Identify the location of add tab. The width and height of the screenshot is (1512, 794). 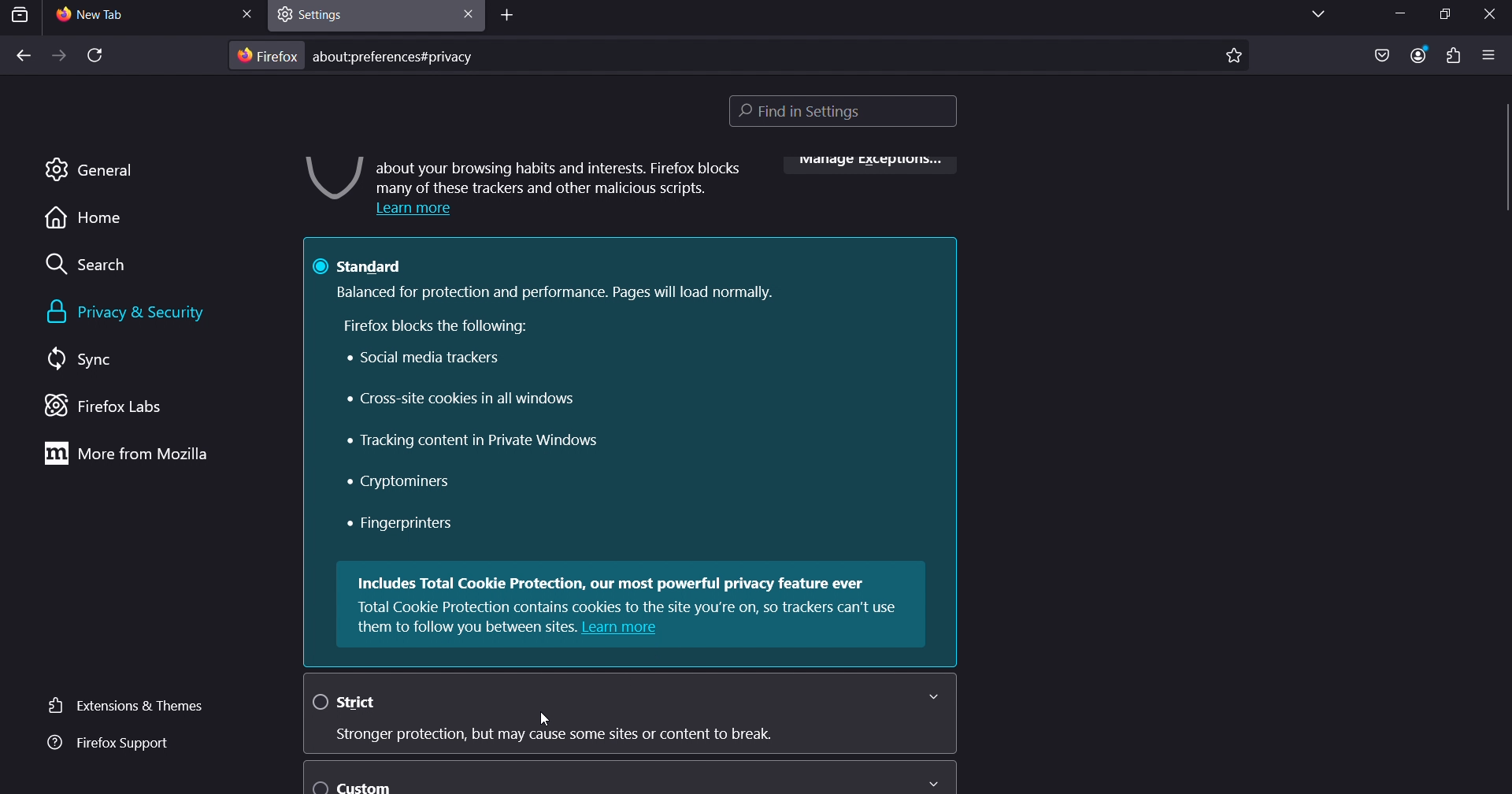
(509, 18).